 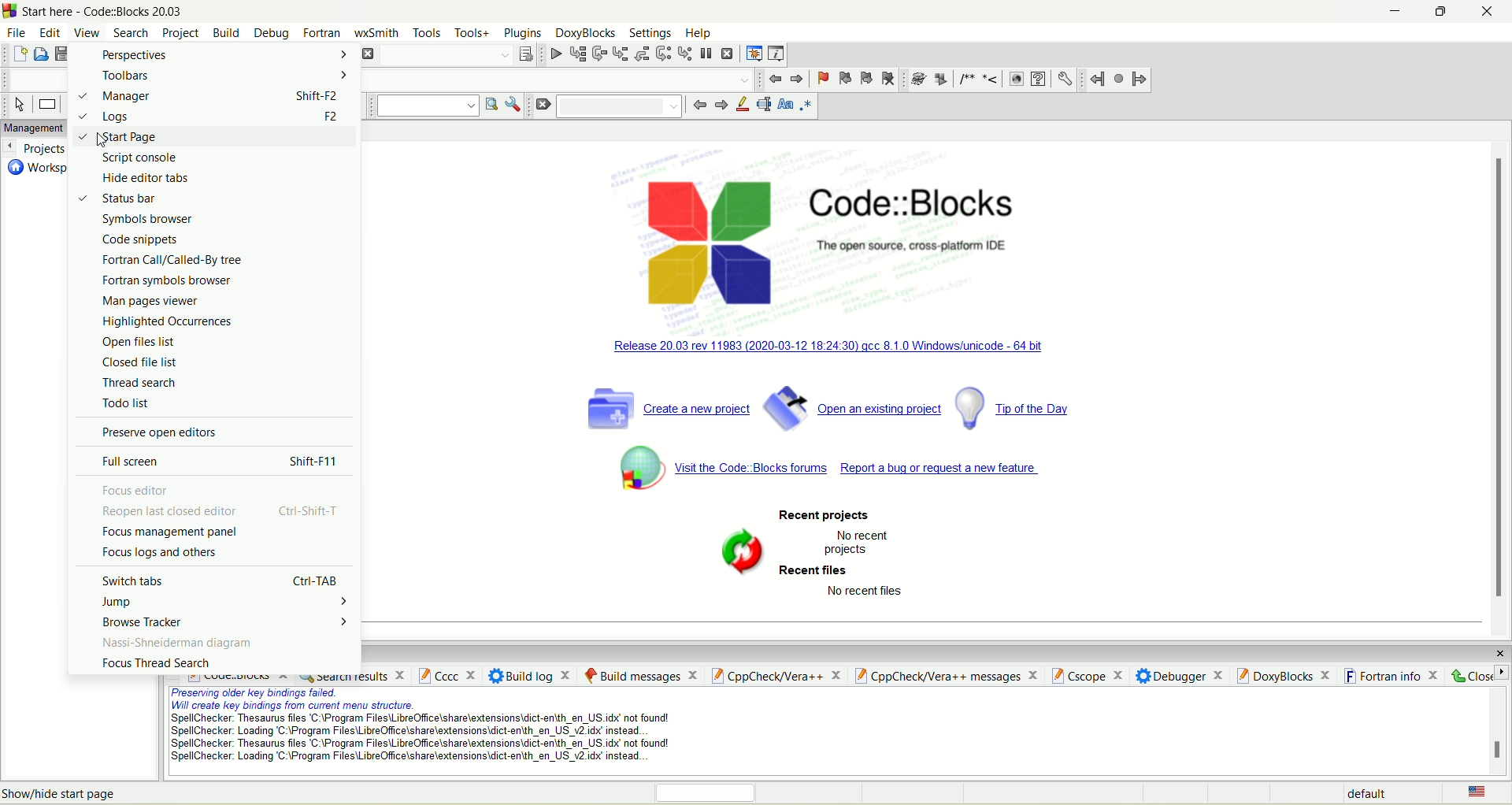 I want to click on Run doxywizard, so click(x=916, y=80).